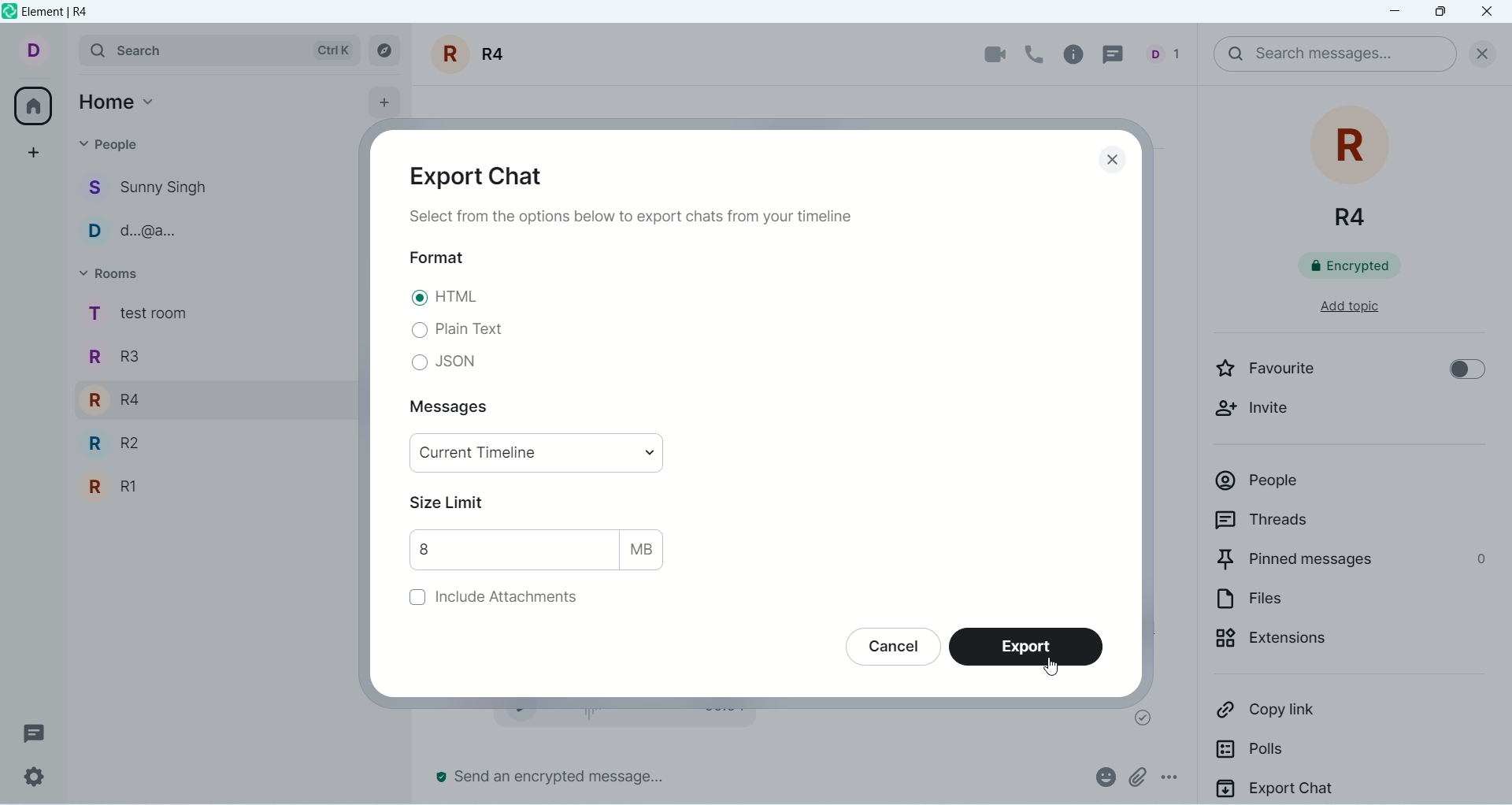 This screenshot has width=1512, height=805. Describe the element at coordinates (1333, 483) in the screenshot. I see `people` at that location.